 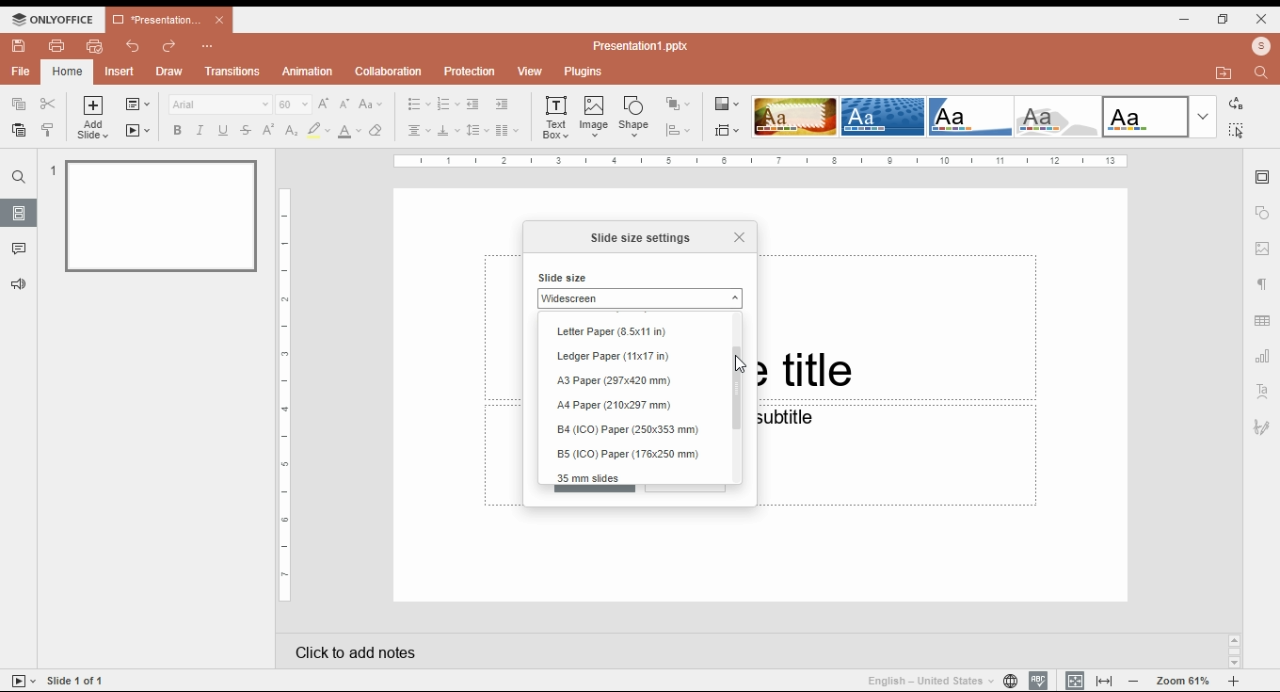 I want to click on file, so click(x=21, y=71).